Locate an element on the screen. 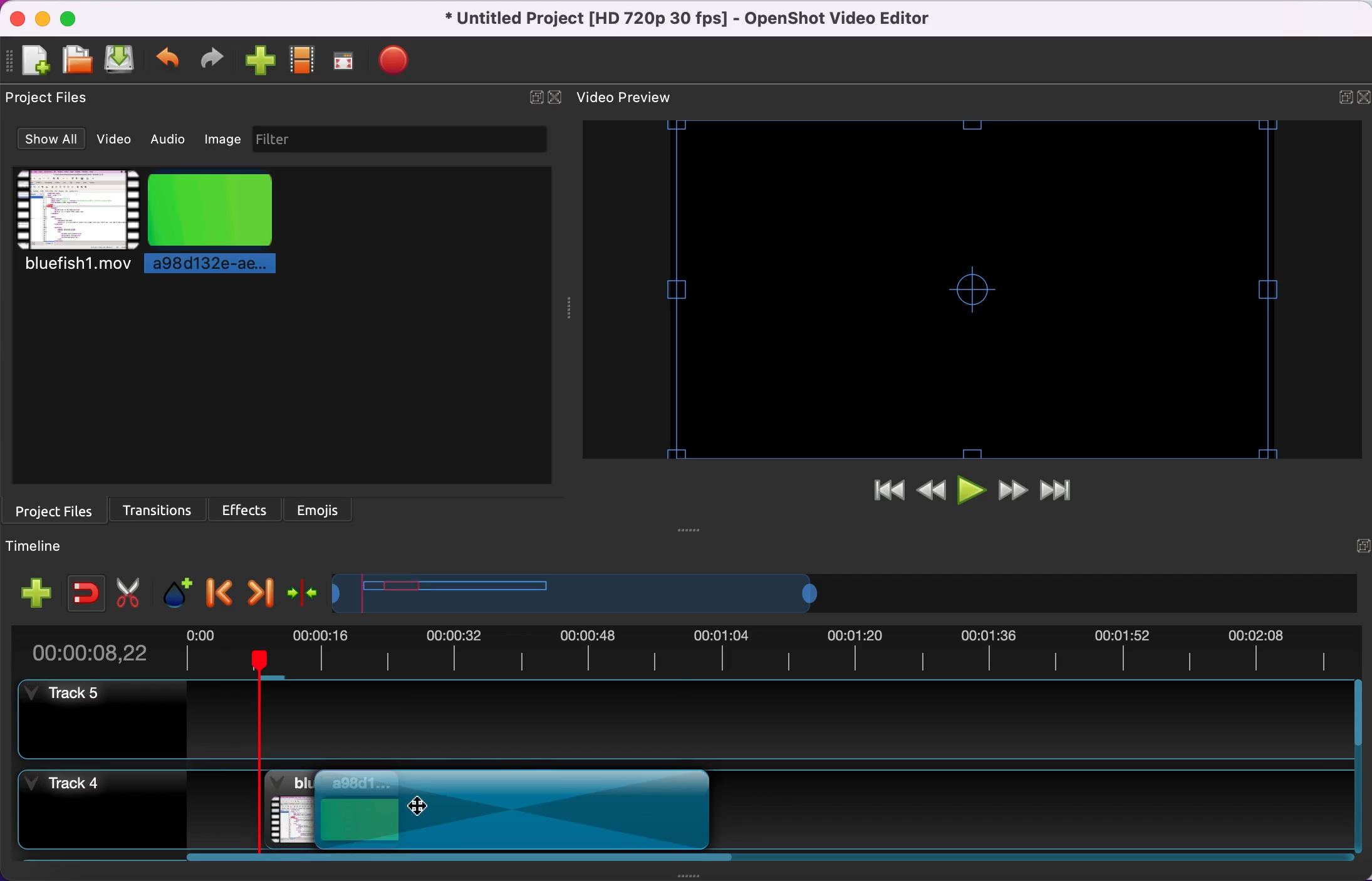 This screenshot has width=1372, height=881. choose profile is located at coordinates (301, 63).